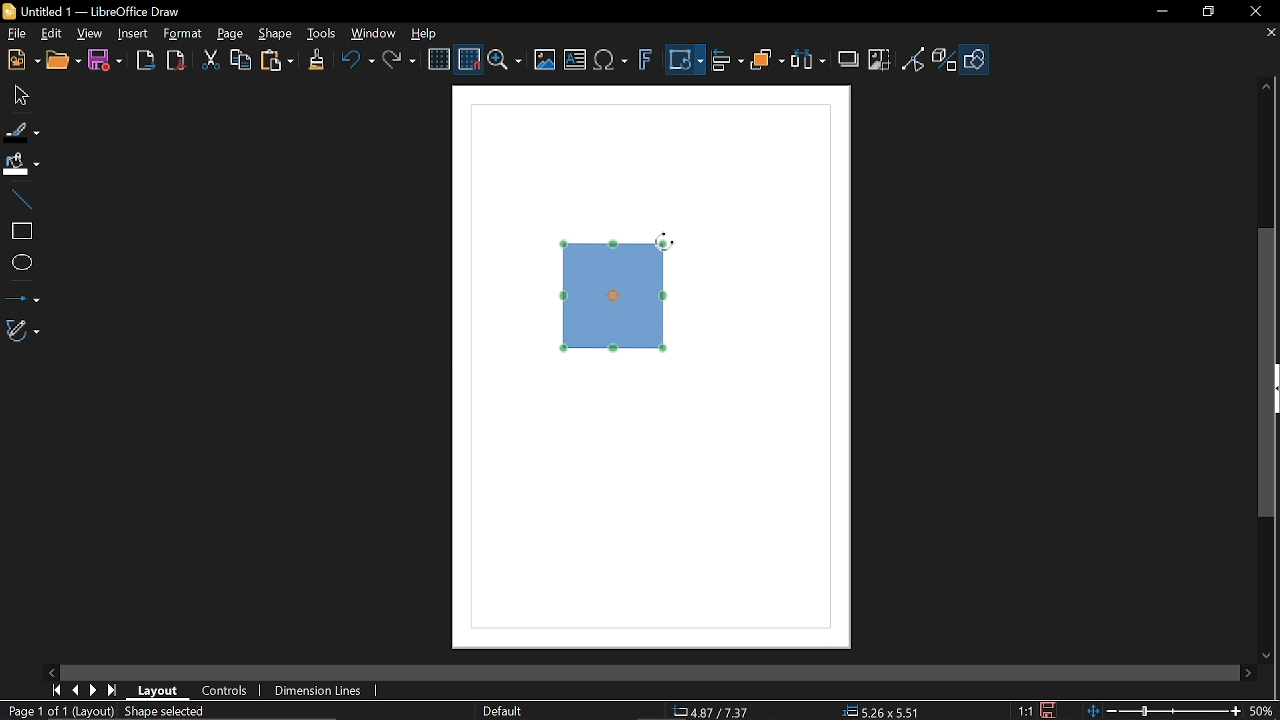 Image resolution: width=1280 pixels, height=720 pixels. Describe the element at coordinates (158, 692) in the screenshot. I see `layout` at that location.